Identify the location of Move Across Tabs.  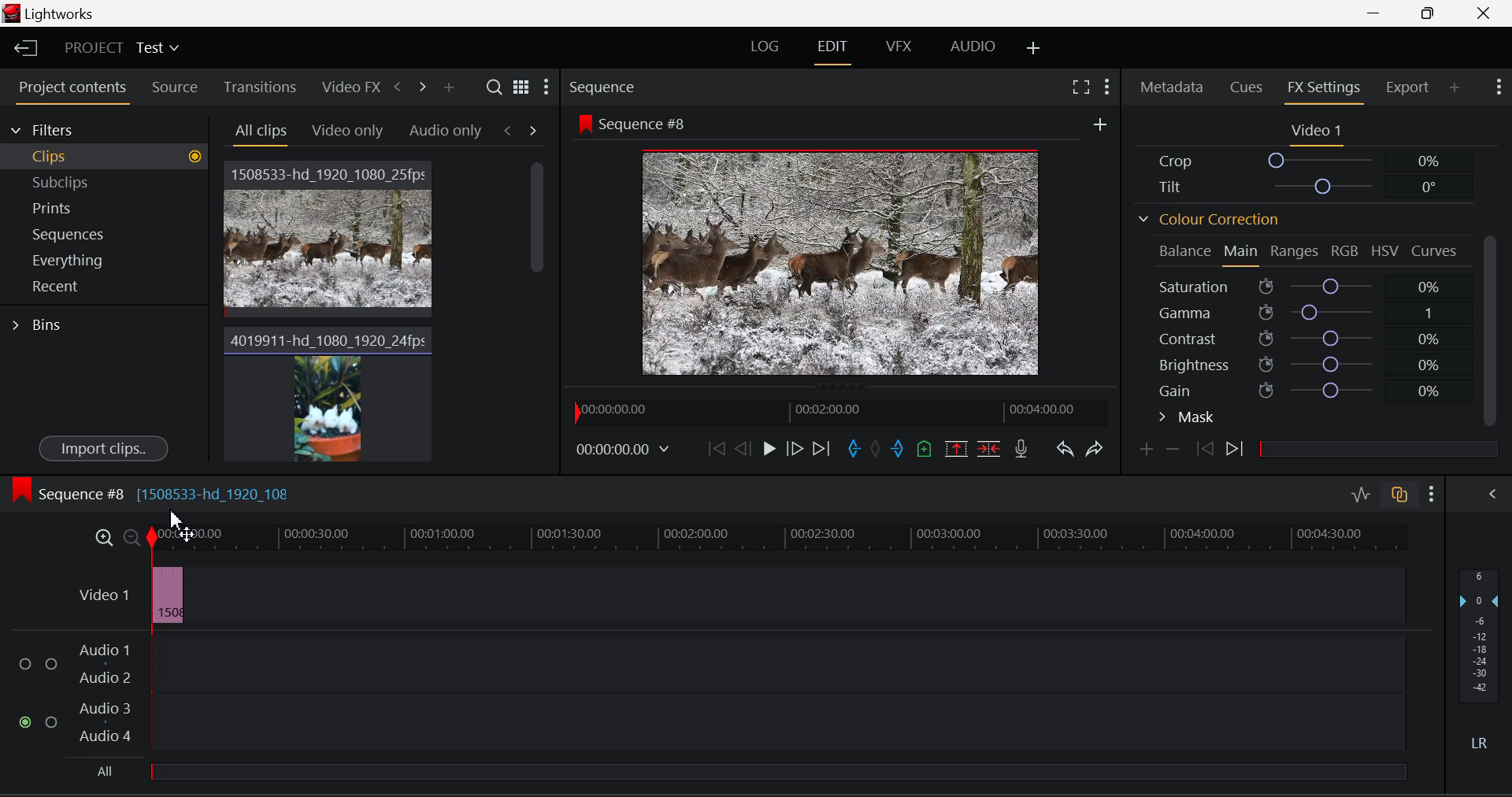
(410, 87).